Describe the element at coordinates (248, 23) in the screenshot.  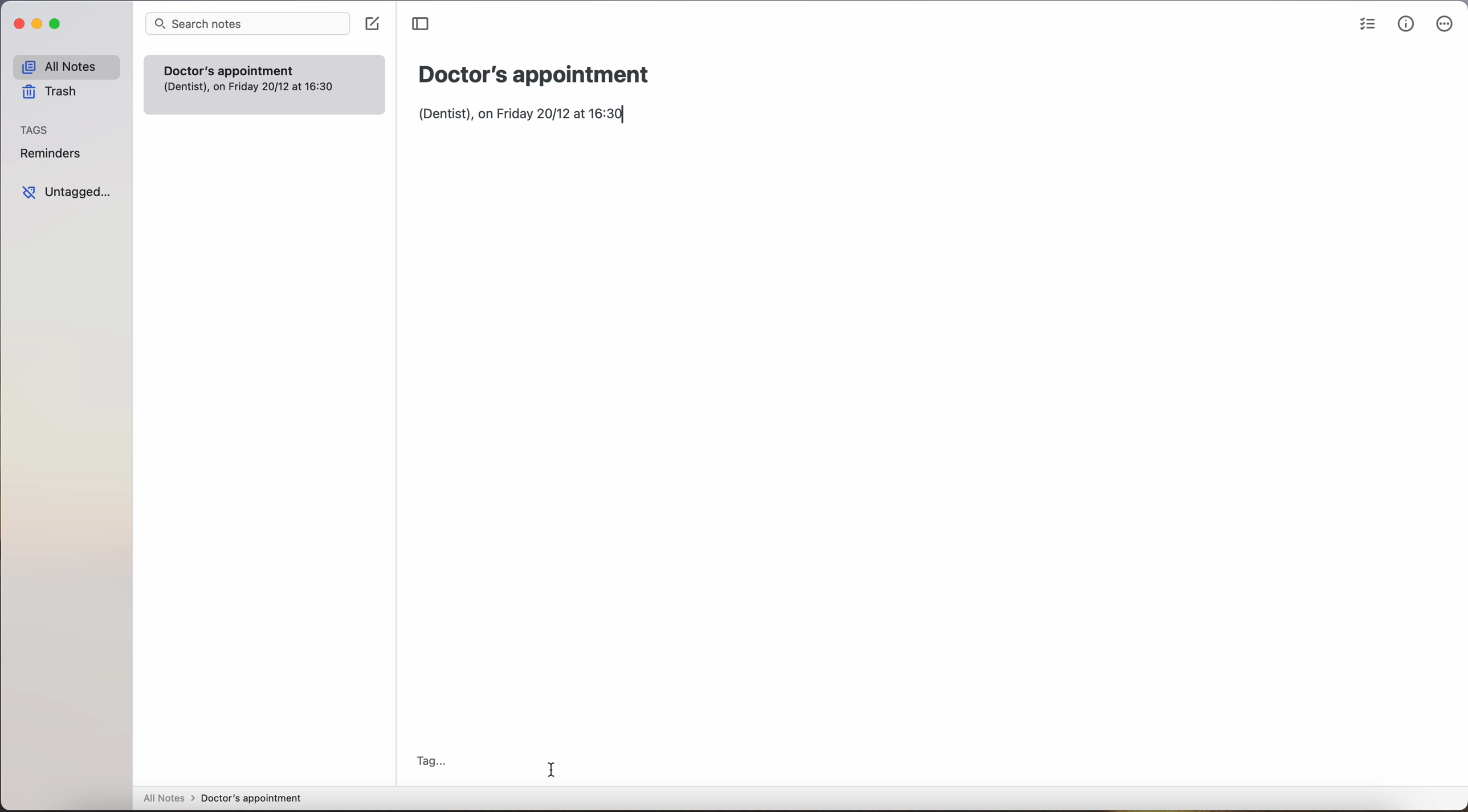
I see `search bar` at that location.